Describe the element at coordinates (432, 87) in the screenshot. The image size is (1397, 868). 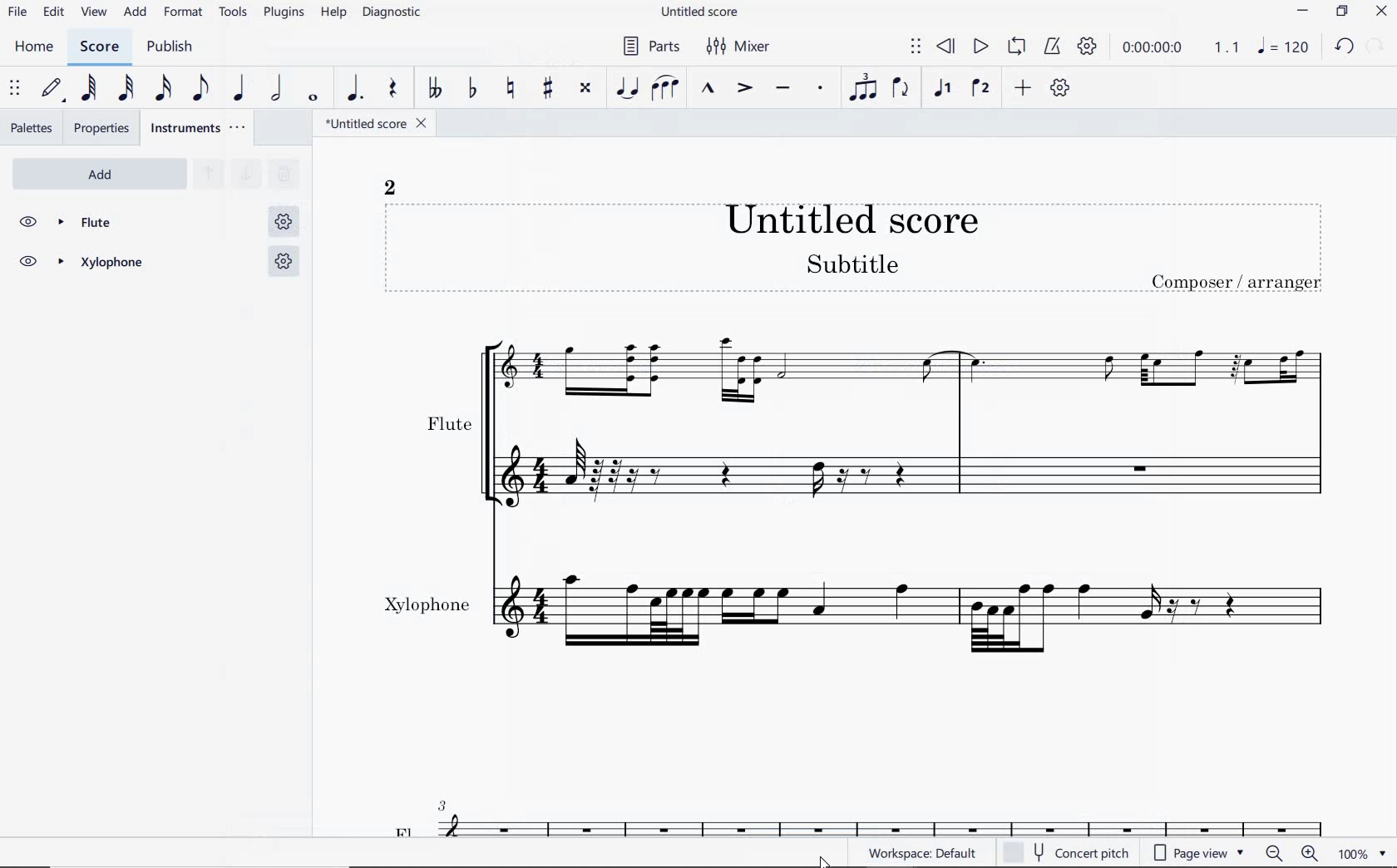
I see `TOGGLE DOUBLE-FLAT` at that location.